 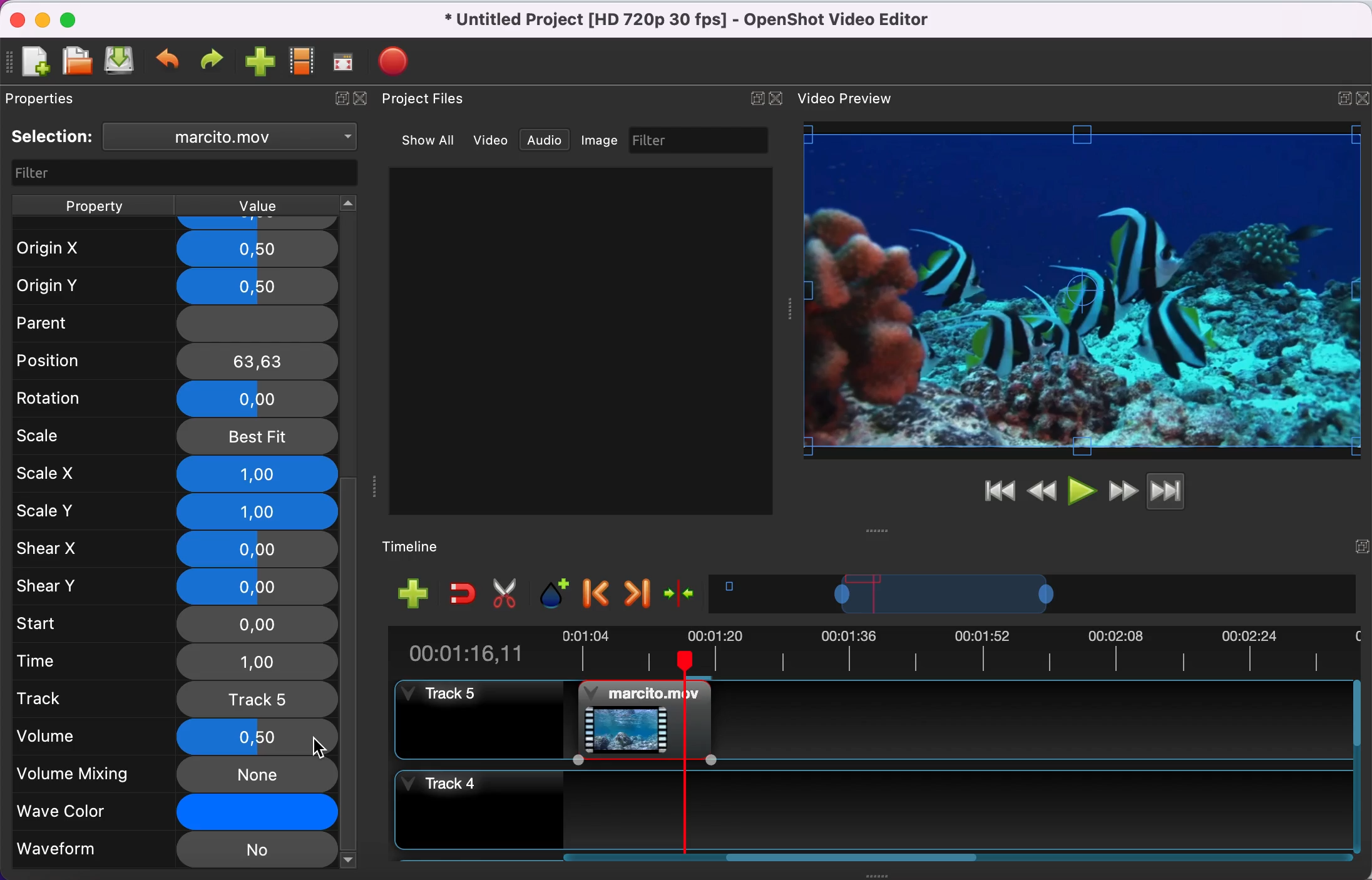 What do you see at coordinates (1083, 291) in the screenshot?
I see `video preview` at bounding box center [1083, 291].